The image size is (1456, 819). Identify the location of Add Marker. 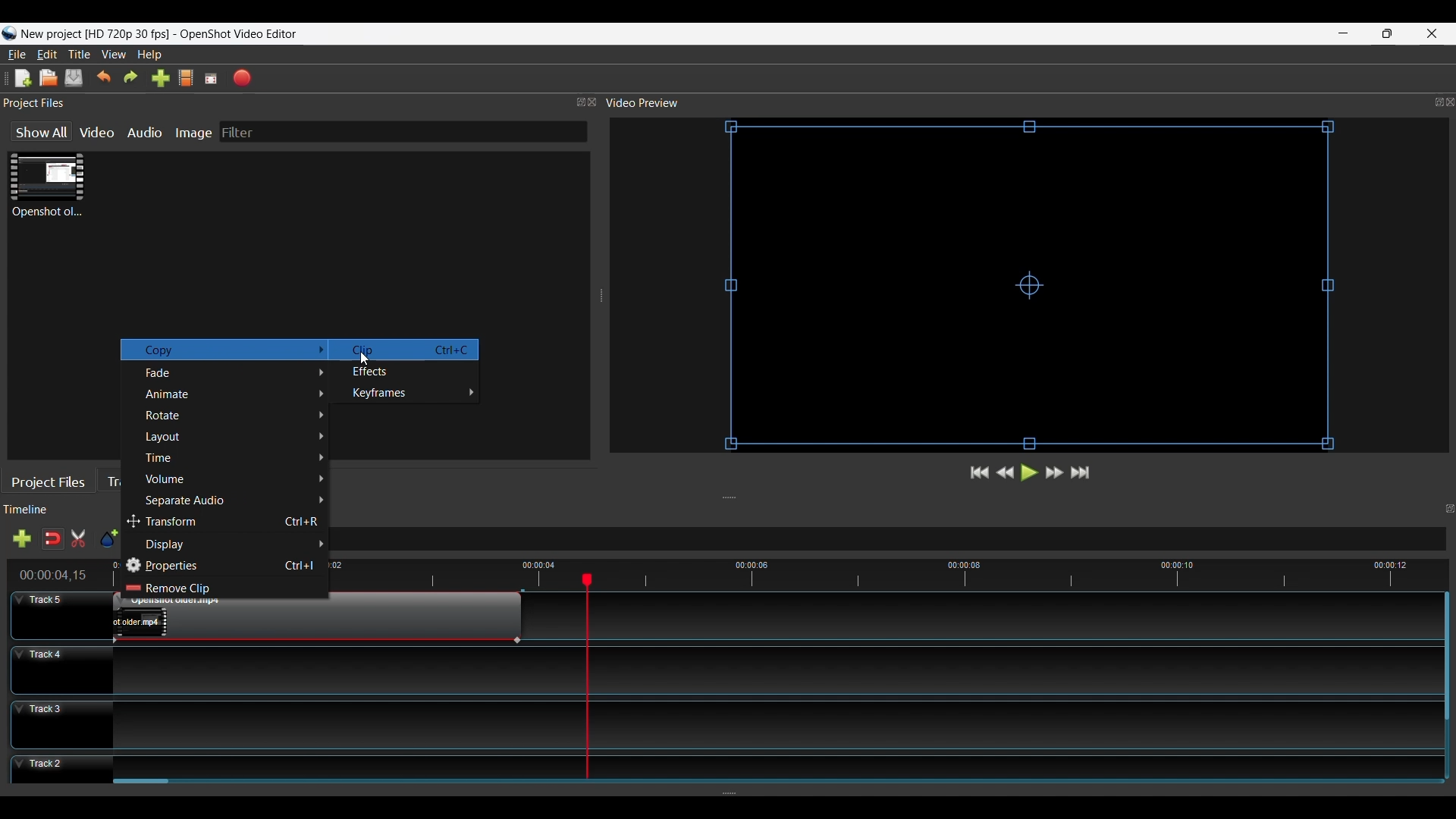
(108, 539).